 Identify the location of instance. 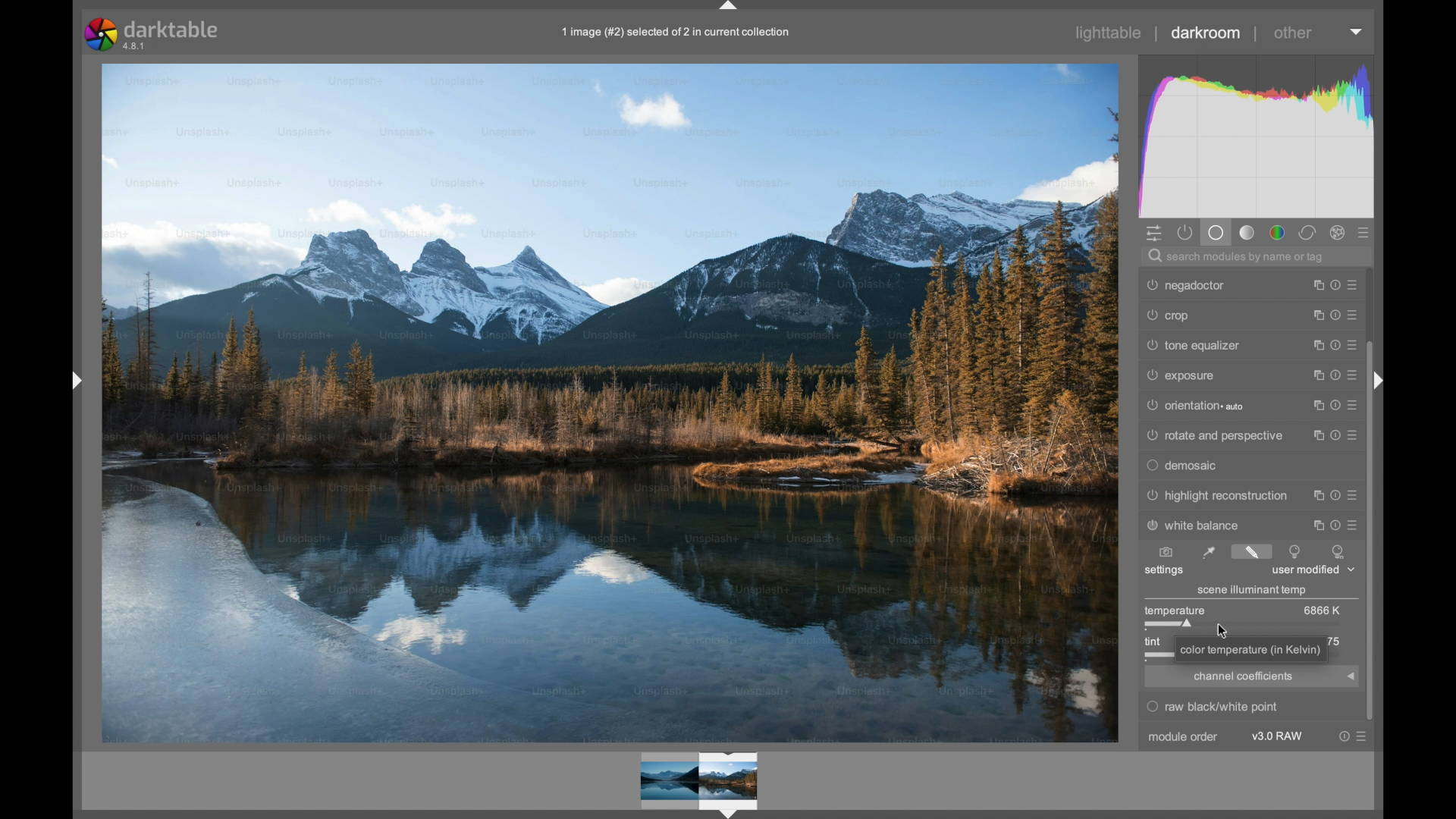
(1315, 341).